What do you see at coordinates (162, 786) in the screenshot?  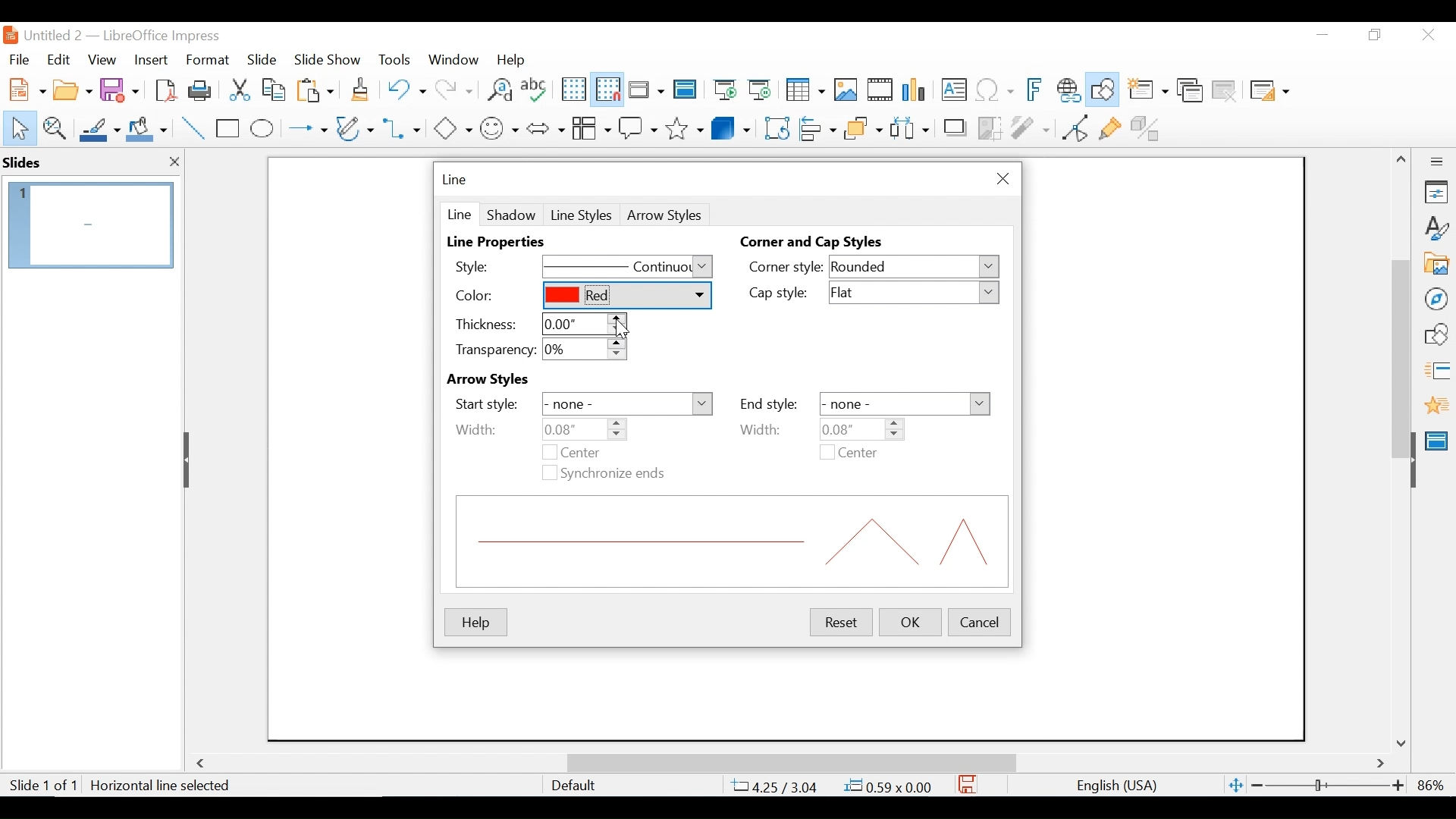 I see `Horizontal line Selected` at bounding box center [162, 786].